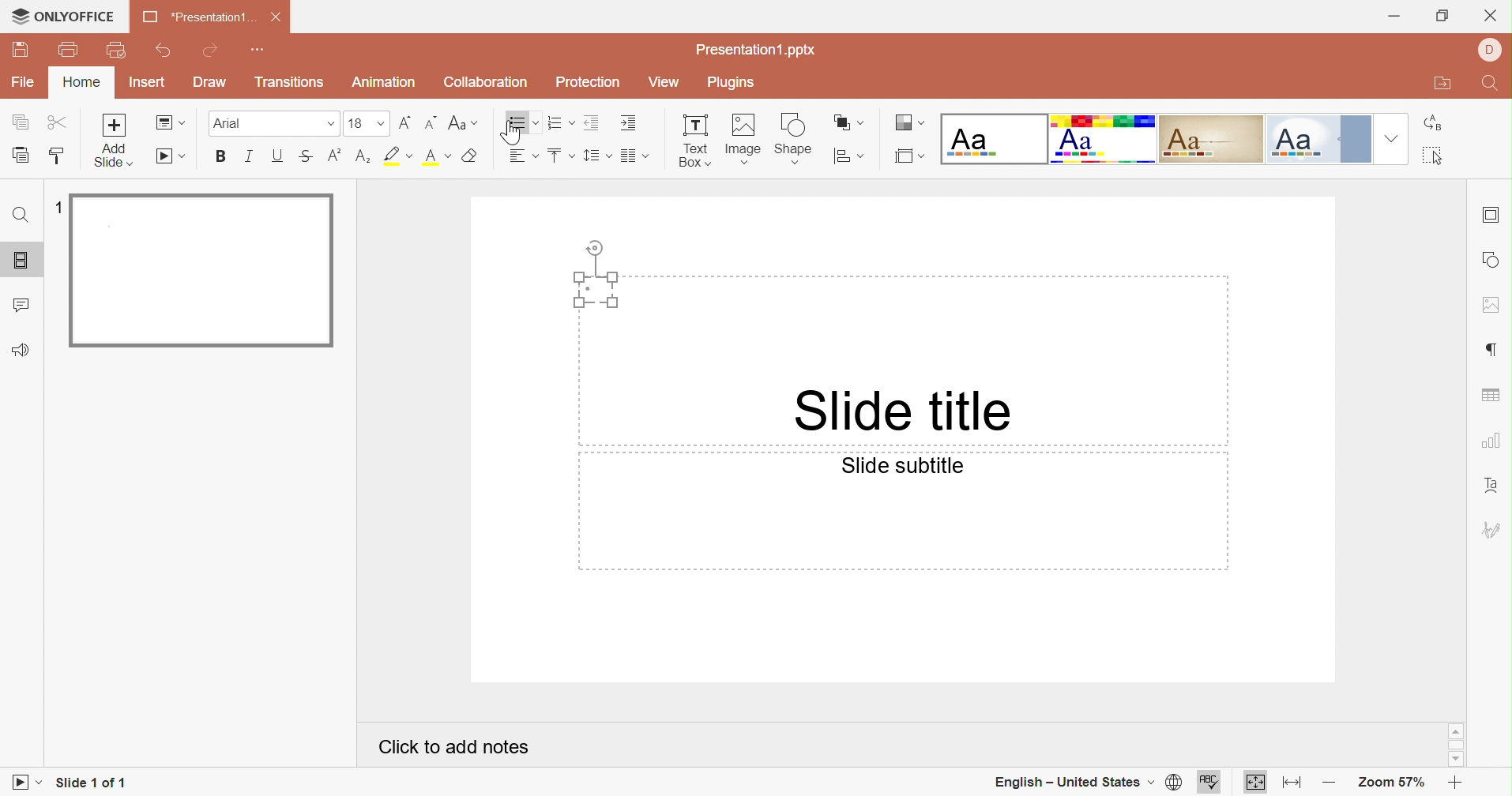 Image resolution: width=1512 pixels, height=796 pixels. What do you see at coordinates (21, 349) in the screenshot?
I see `Feedback and Support` at bounding box center [21, 349].